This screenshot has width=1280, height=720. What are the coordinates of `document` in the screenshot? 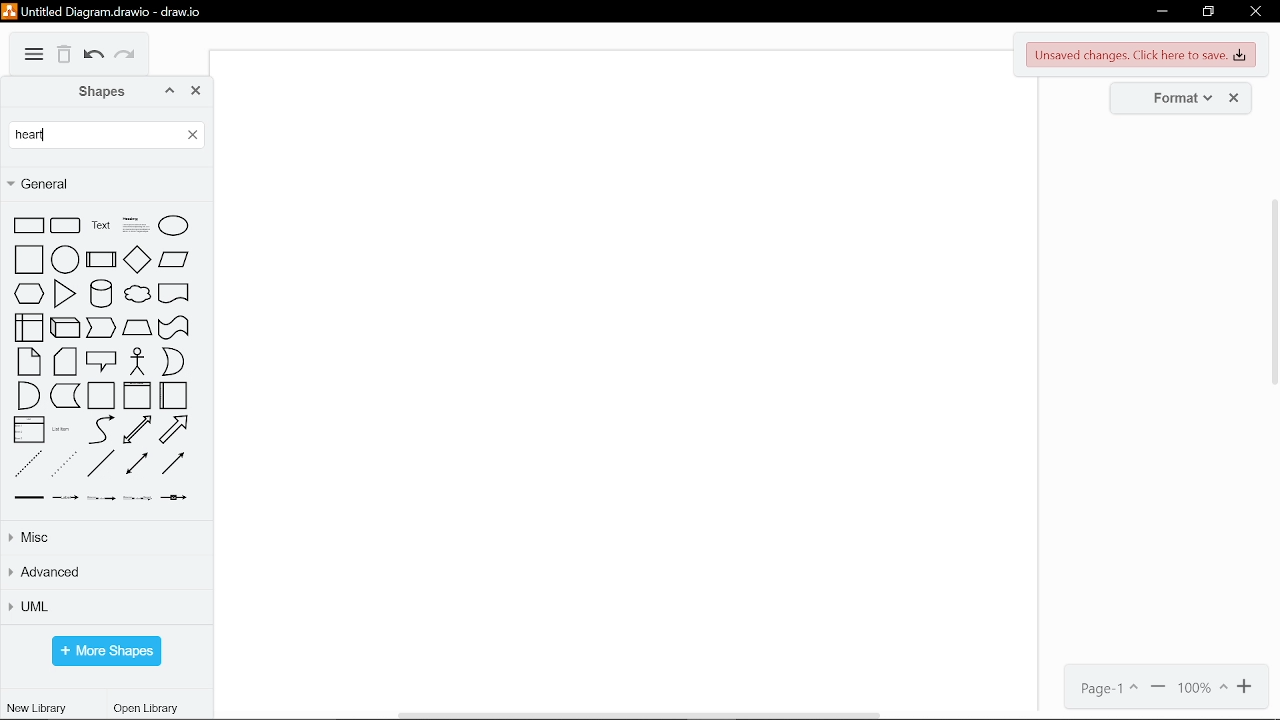 It's located at (173, 296).